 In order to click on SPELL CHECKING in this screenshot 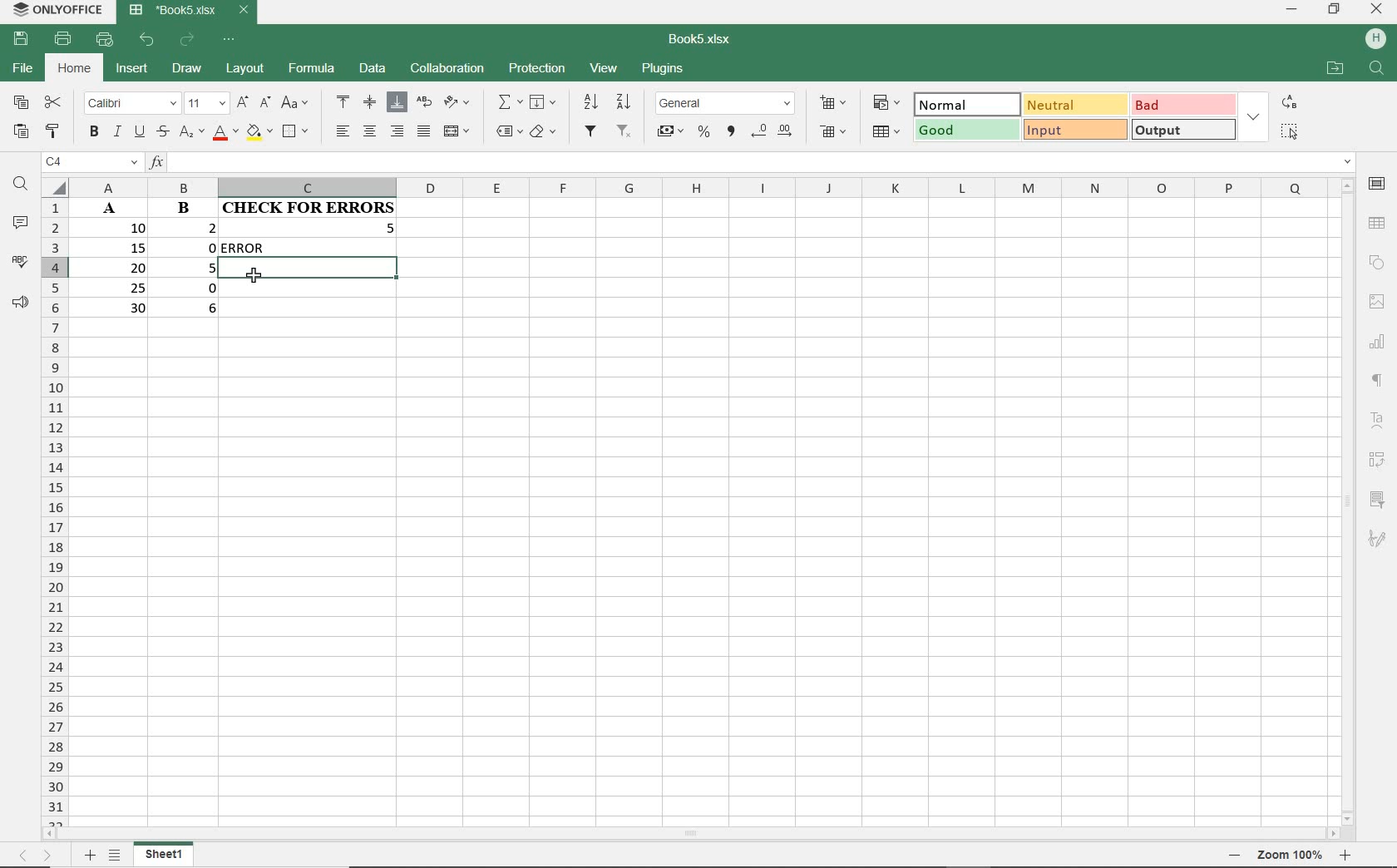, I will do `click(19, 259)`.